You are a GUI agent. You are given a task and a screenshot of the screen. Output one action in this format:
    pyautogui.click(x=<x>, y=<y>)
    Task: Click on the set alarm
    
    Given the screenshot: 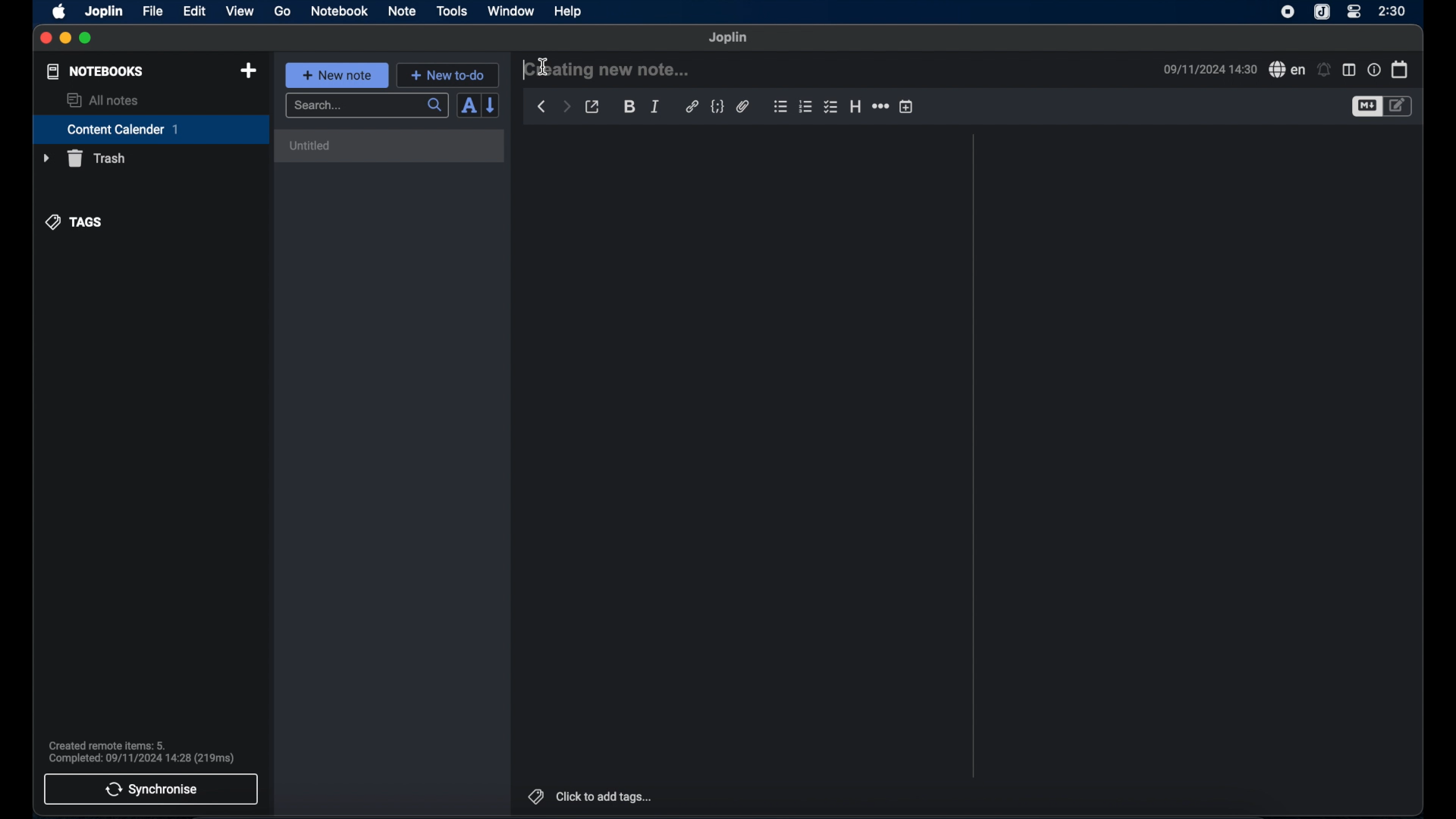 What is the action you would take?
    pyautogui.click(x=1324, y=69)
    